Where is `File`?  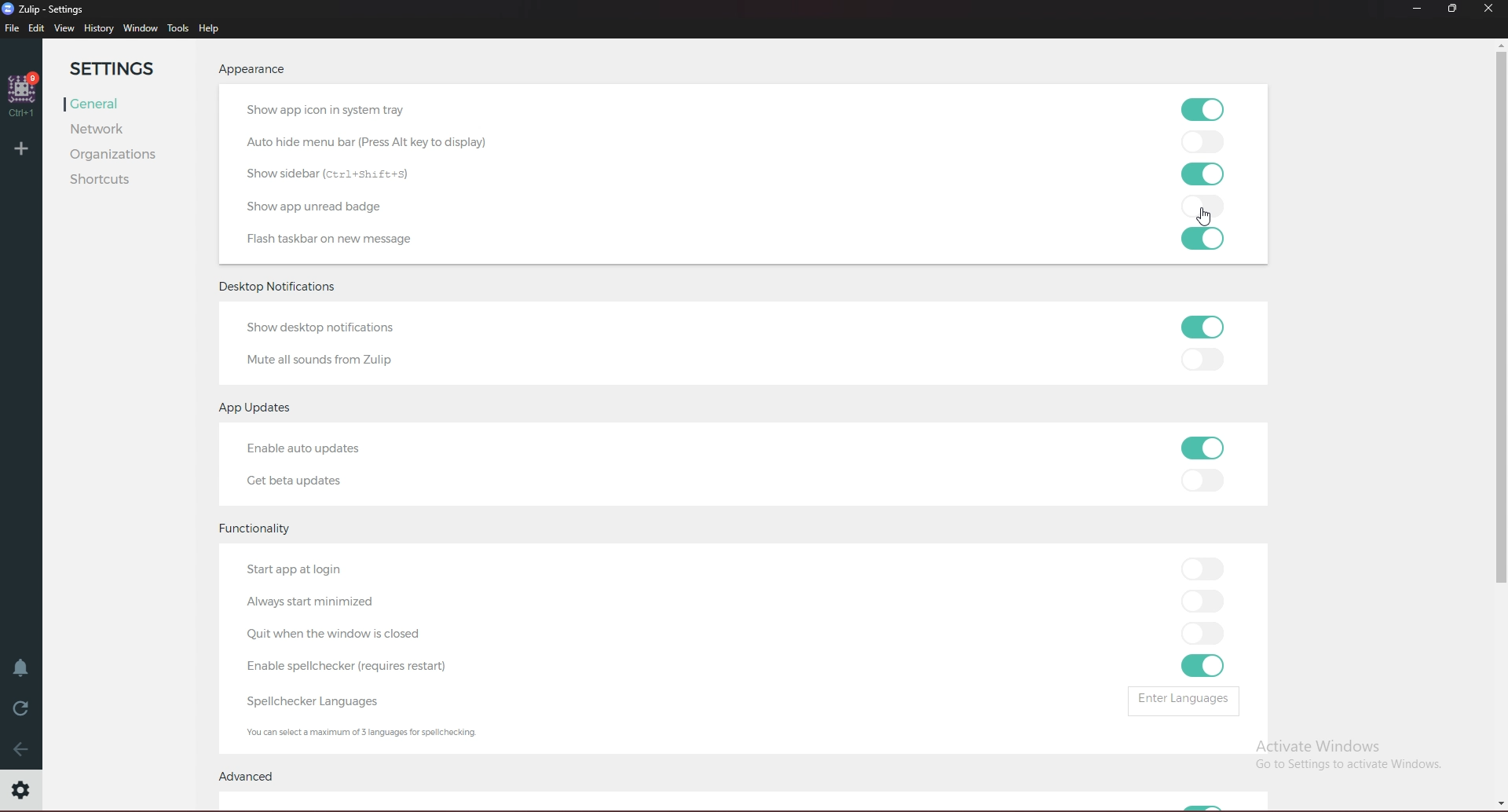
File is located at coordinates (13, 29).